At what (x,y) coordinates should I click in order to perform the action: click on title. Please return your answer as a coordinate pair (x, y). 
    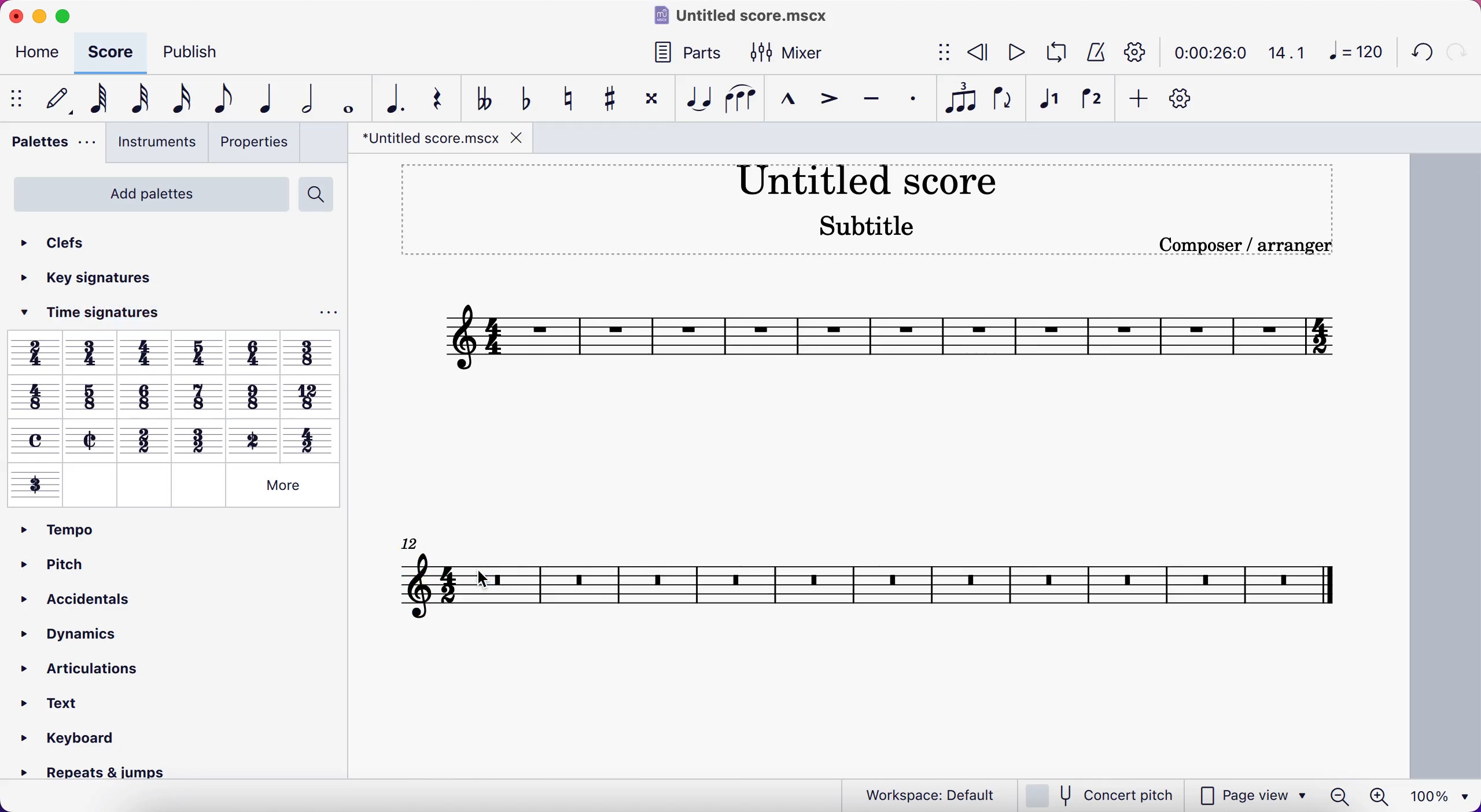
    Looking at the image, I should click on (737, 17).